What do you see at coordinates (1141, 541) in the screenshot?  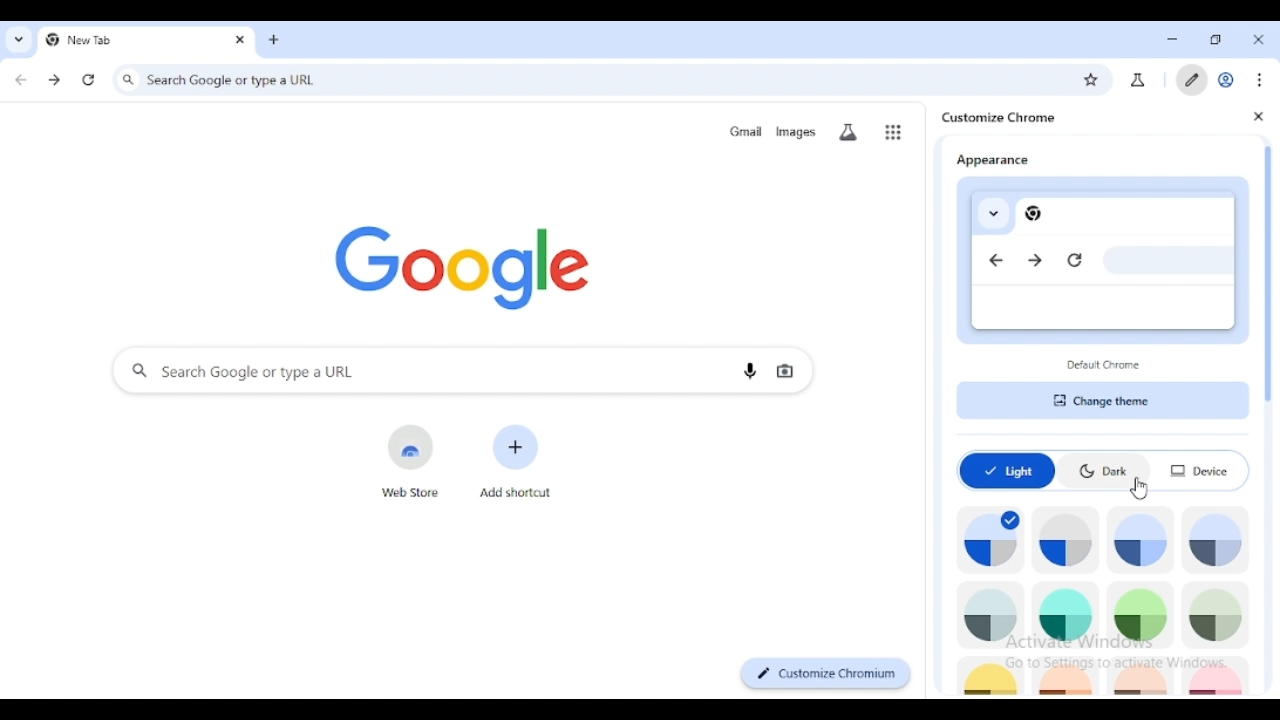 I see `blue` at bounding box center [1141, 541].